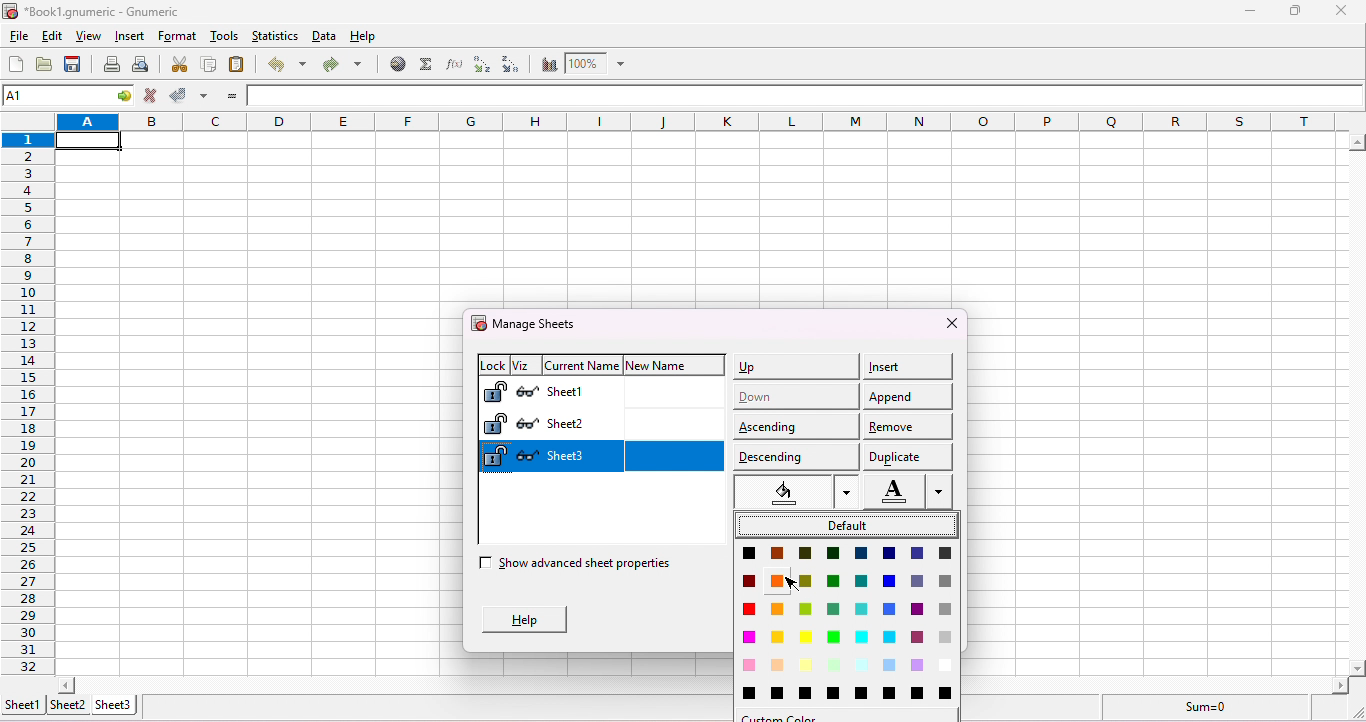 This screenshot has height=722, width=1366. I want to click on formula bar, so click(805, 95).